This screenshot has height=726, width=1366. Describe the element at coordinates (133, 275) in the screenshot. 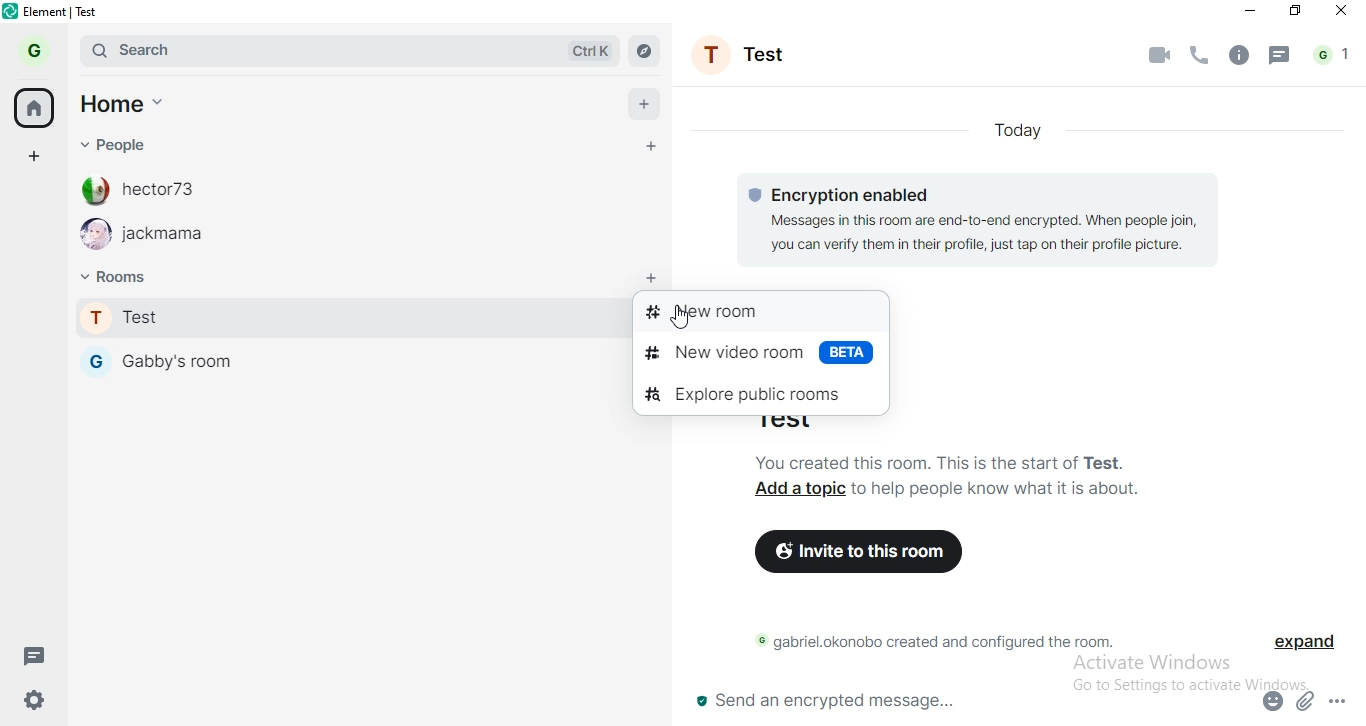

I see `rooms` at that location.